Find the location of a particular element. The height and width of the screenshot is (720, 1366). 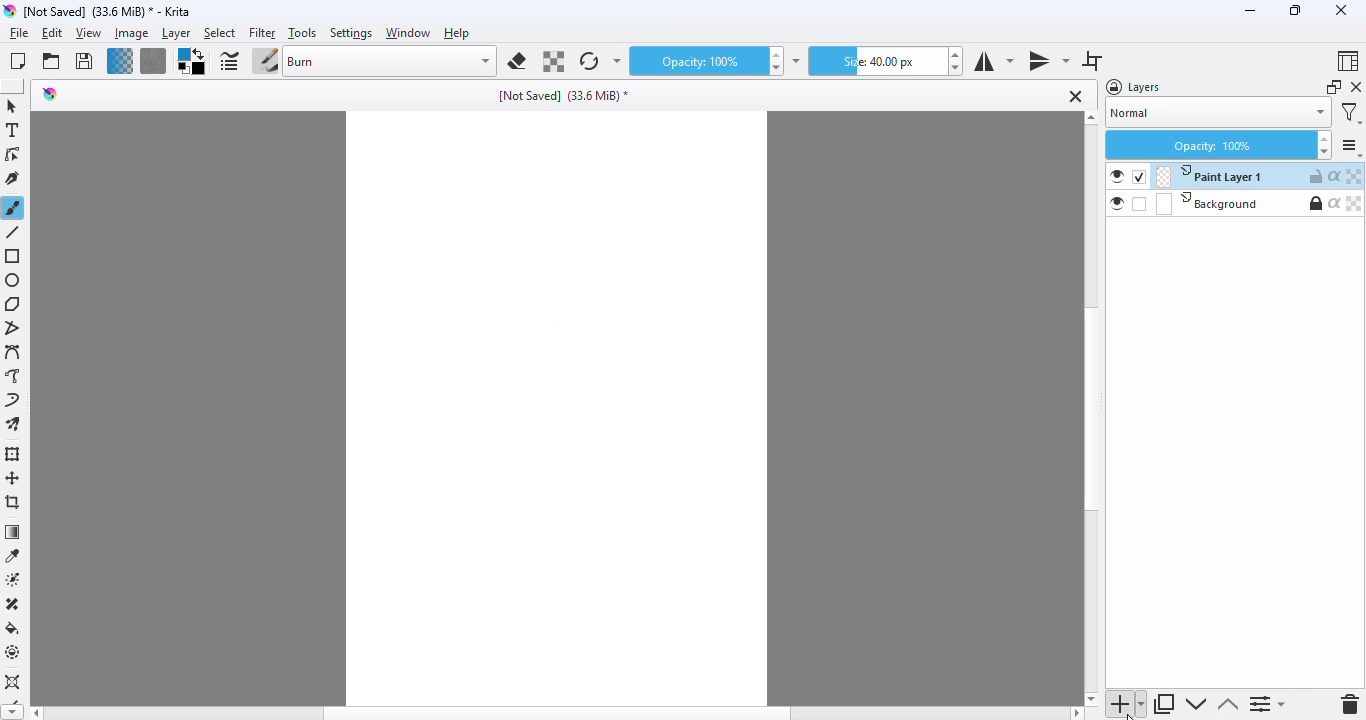

selected is located at coordinates (1139, 177).